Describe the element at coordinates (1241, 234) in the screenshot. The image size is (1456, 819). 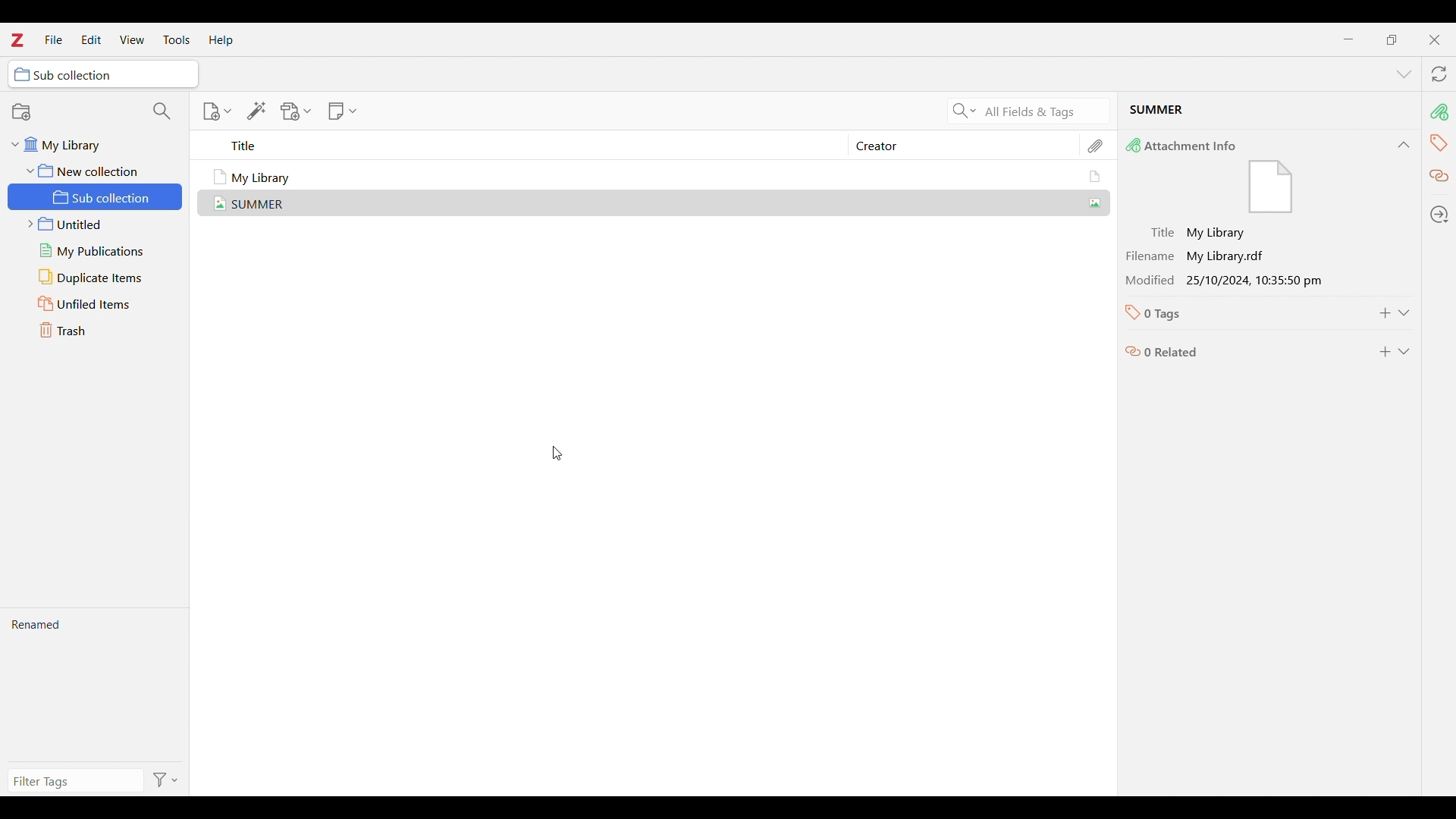
I see `Title: My Library` at that location.